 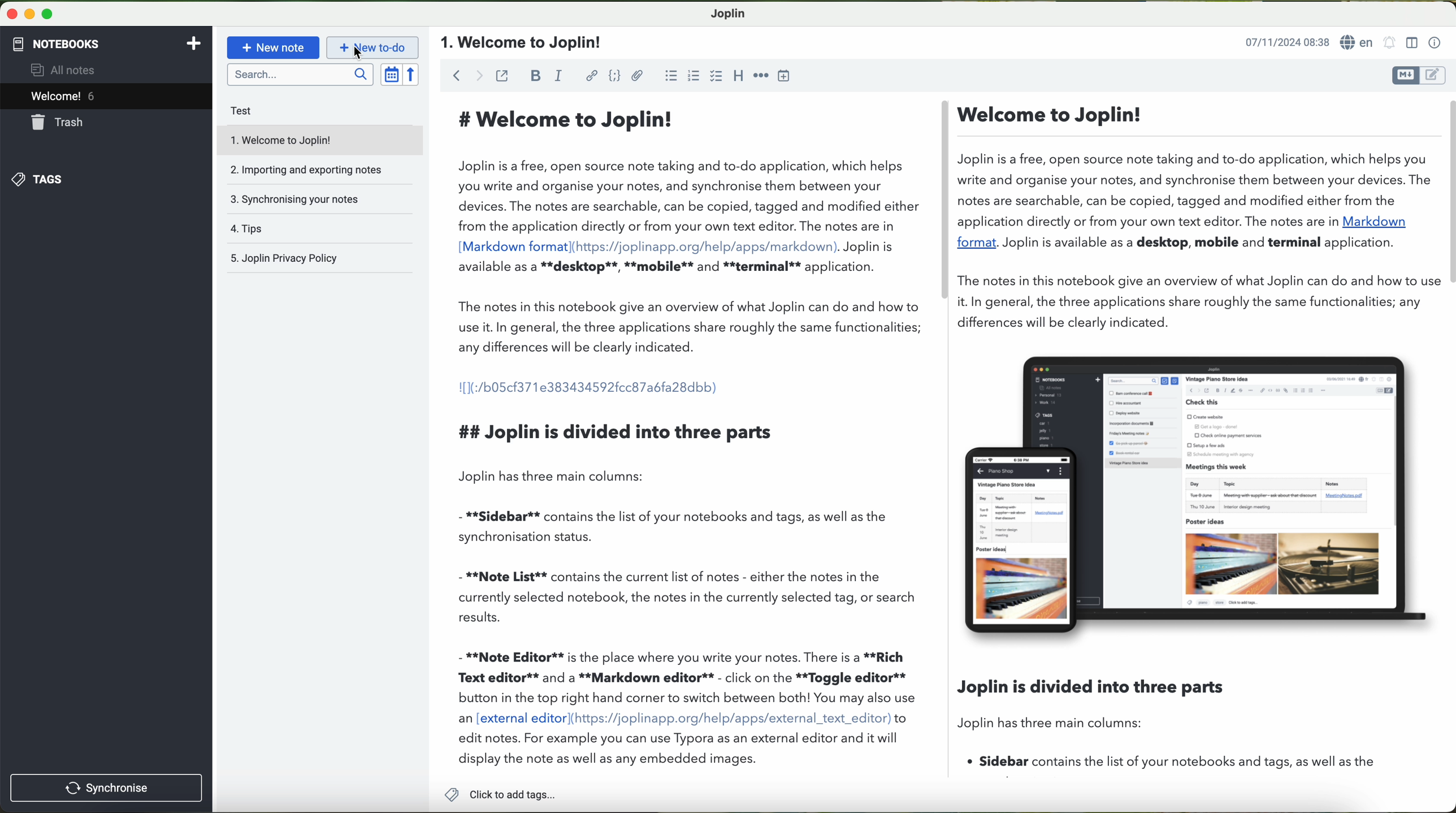 I want to click on notebooks tab, so click(x=106, y=44).